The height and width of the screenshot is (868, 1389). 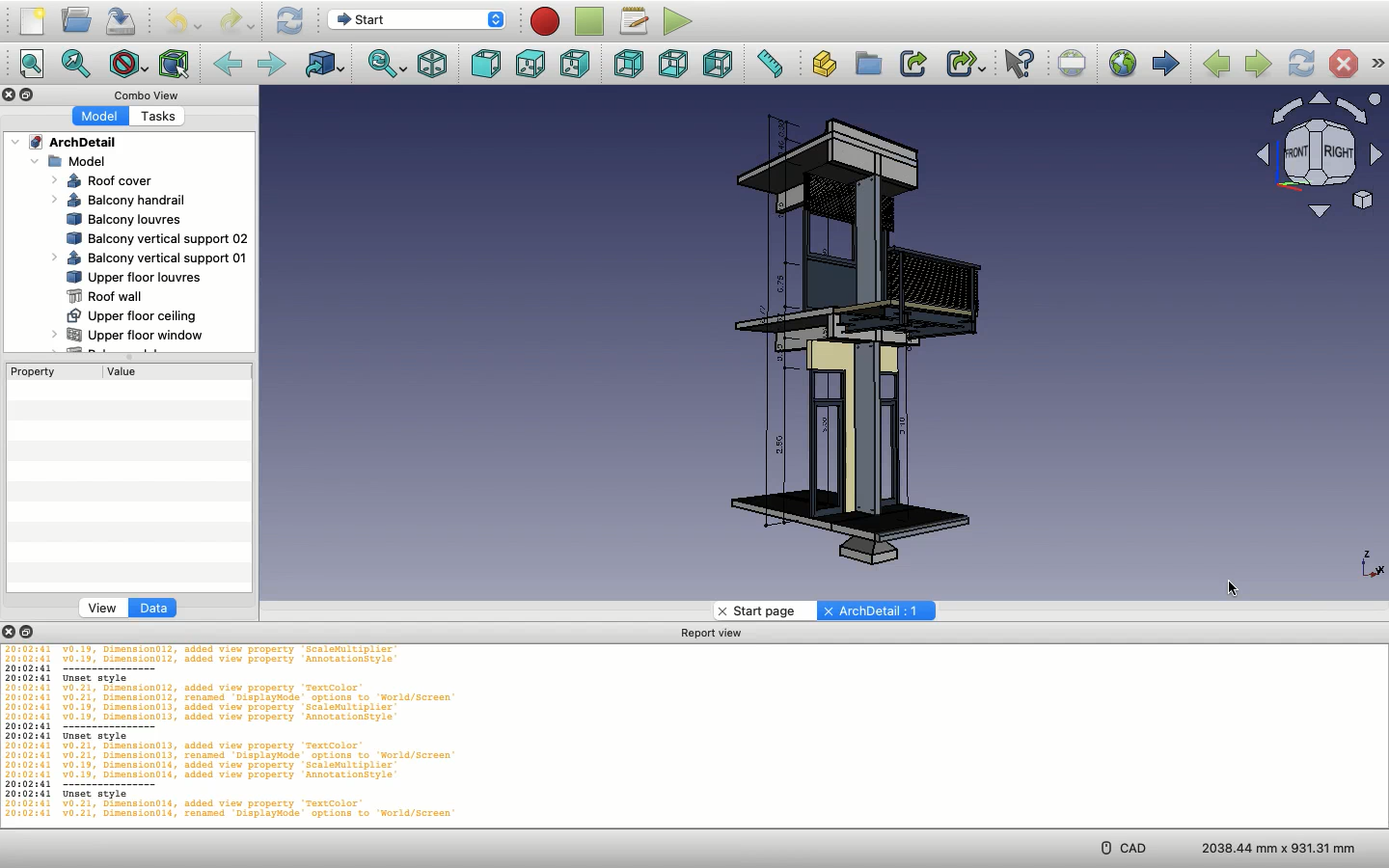 I want to click on Bottom, so click(x=670, y=65).